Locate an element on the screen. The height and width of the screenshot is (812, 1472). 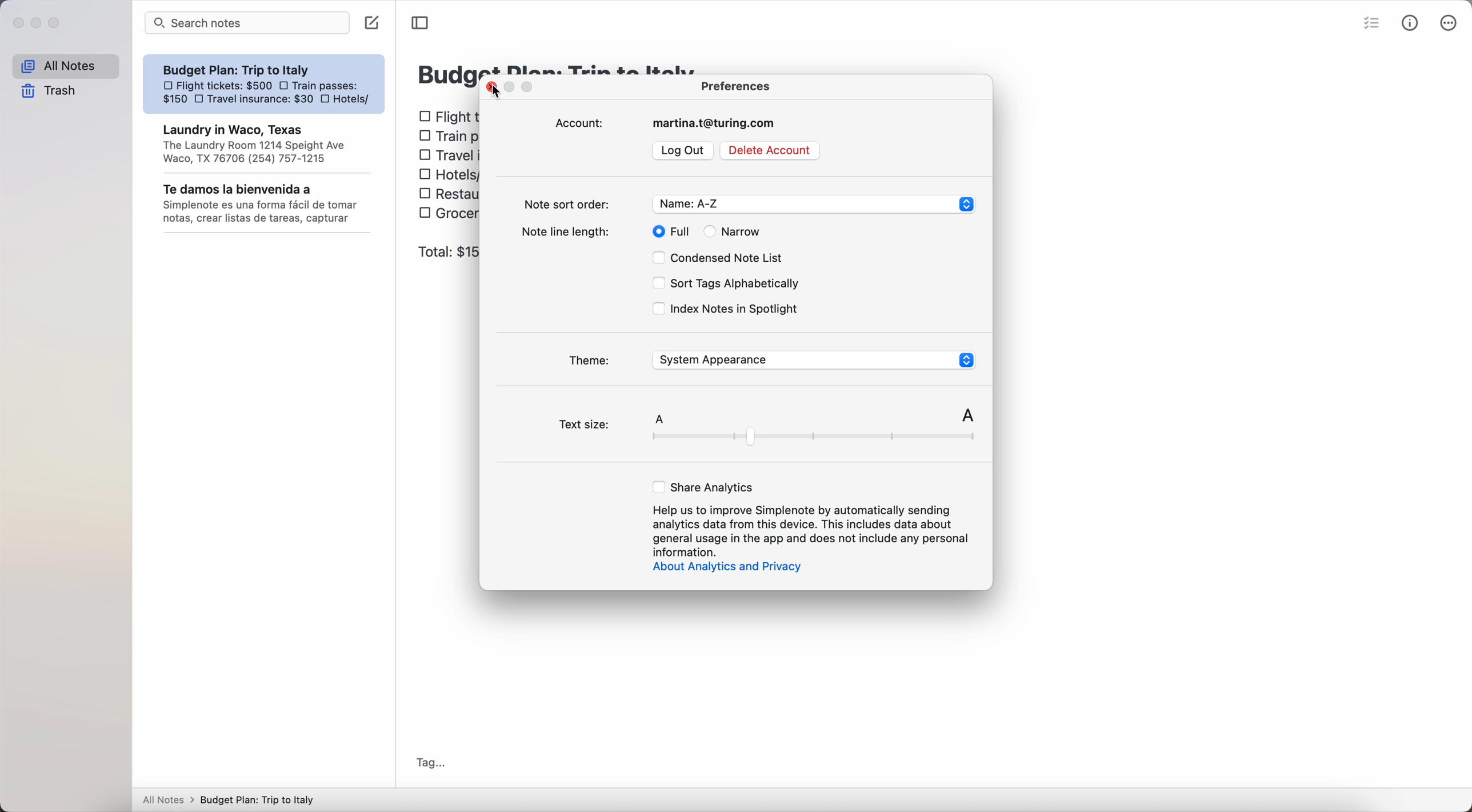
note line length is located at coordinates (570, 231).